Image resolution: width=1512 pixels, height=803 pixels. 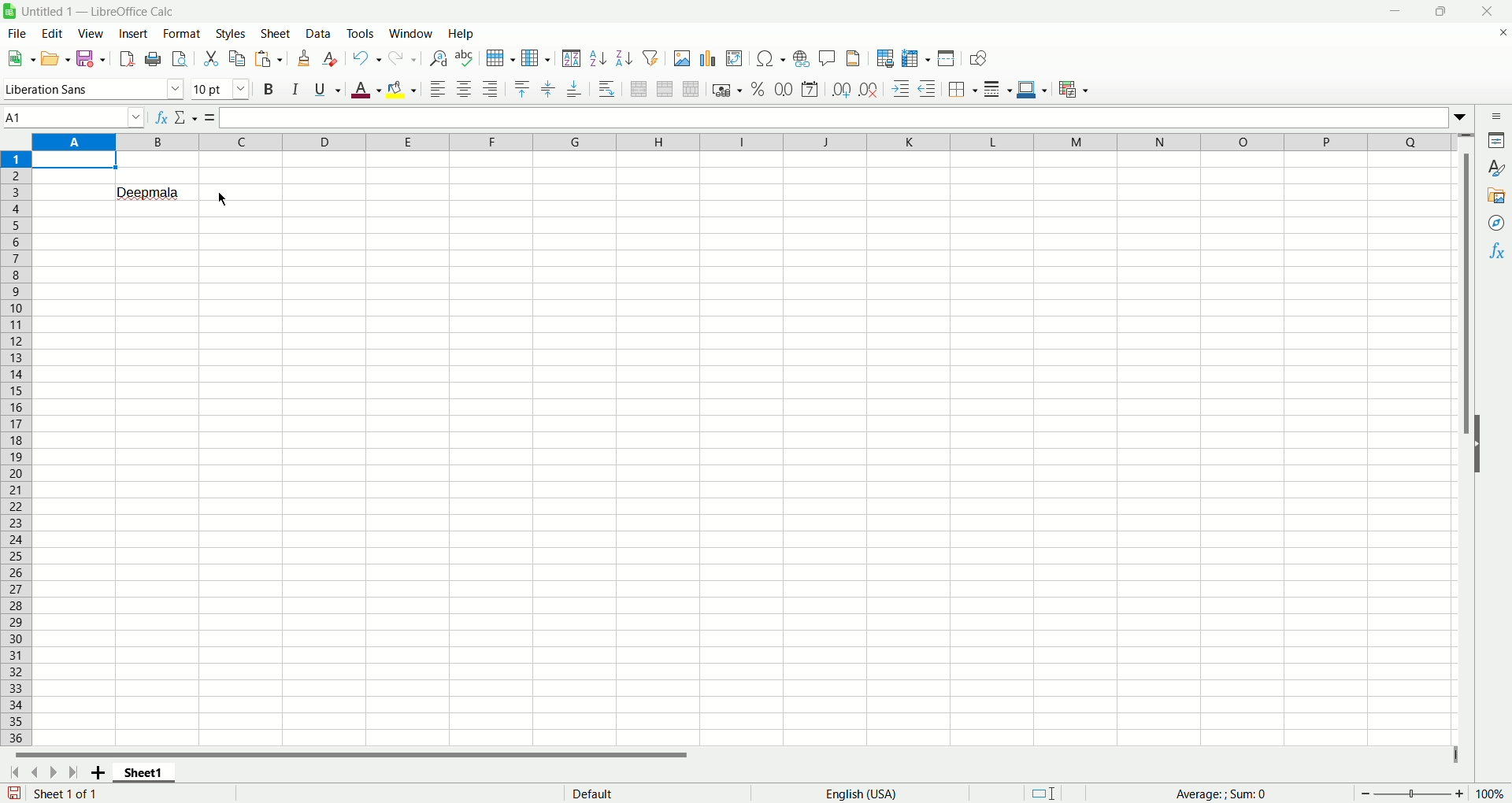 I want to click on Bold, so click(x=271, y=89).